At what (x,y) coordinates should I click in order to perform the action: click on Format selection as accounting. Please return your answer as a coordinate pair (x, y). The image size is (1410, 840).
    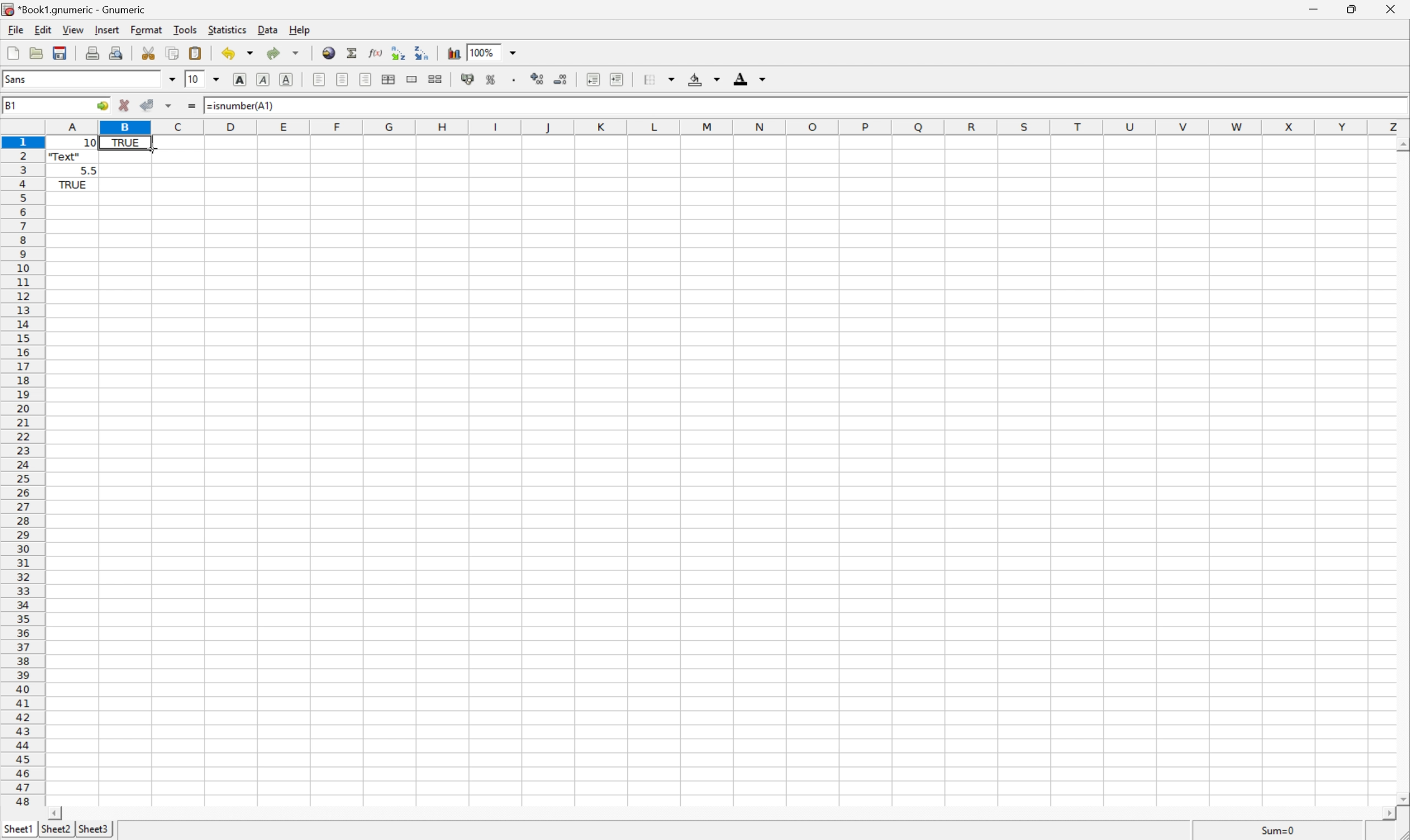
    Looking at the image, I should click on (466, 79).